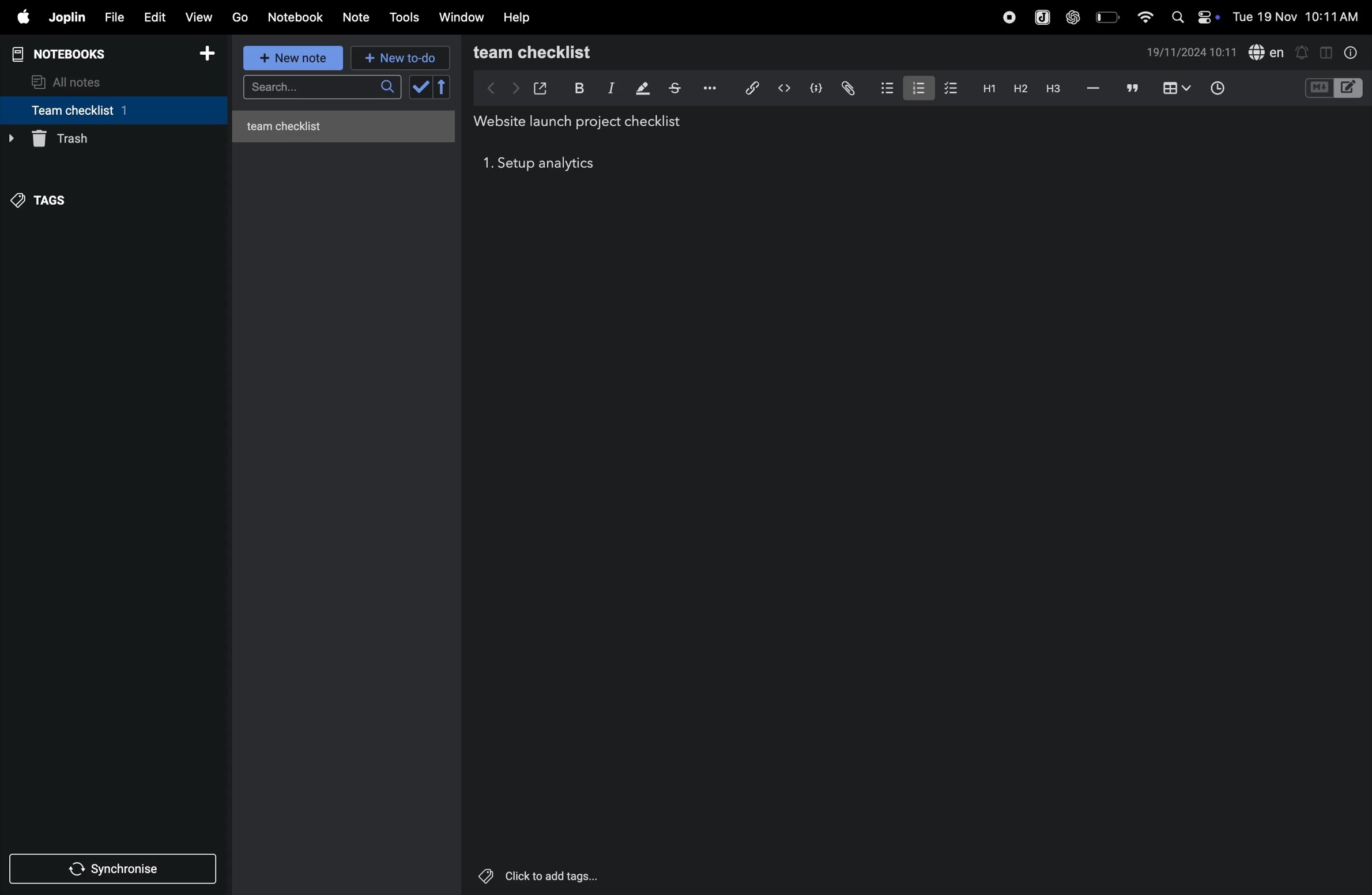  What do you see at coordinates (295, 59) in the screenshot?
I see `new note` at bounding box center [295, 59].